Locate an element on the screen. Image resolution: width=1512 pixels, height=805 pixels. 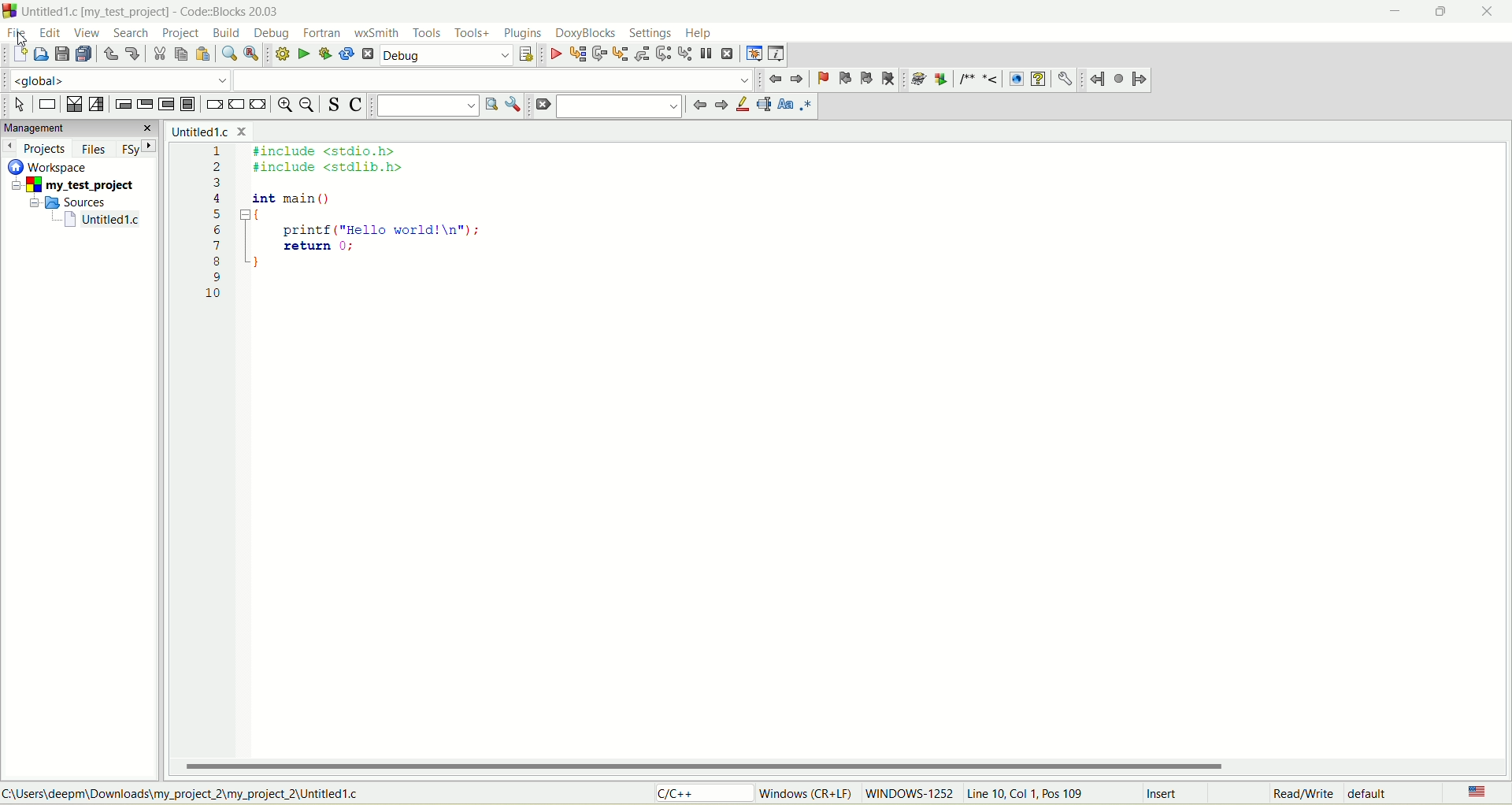
break instruction is located at coordinates (213, 106).